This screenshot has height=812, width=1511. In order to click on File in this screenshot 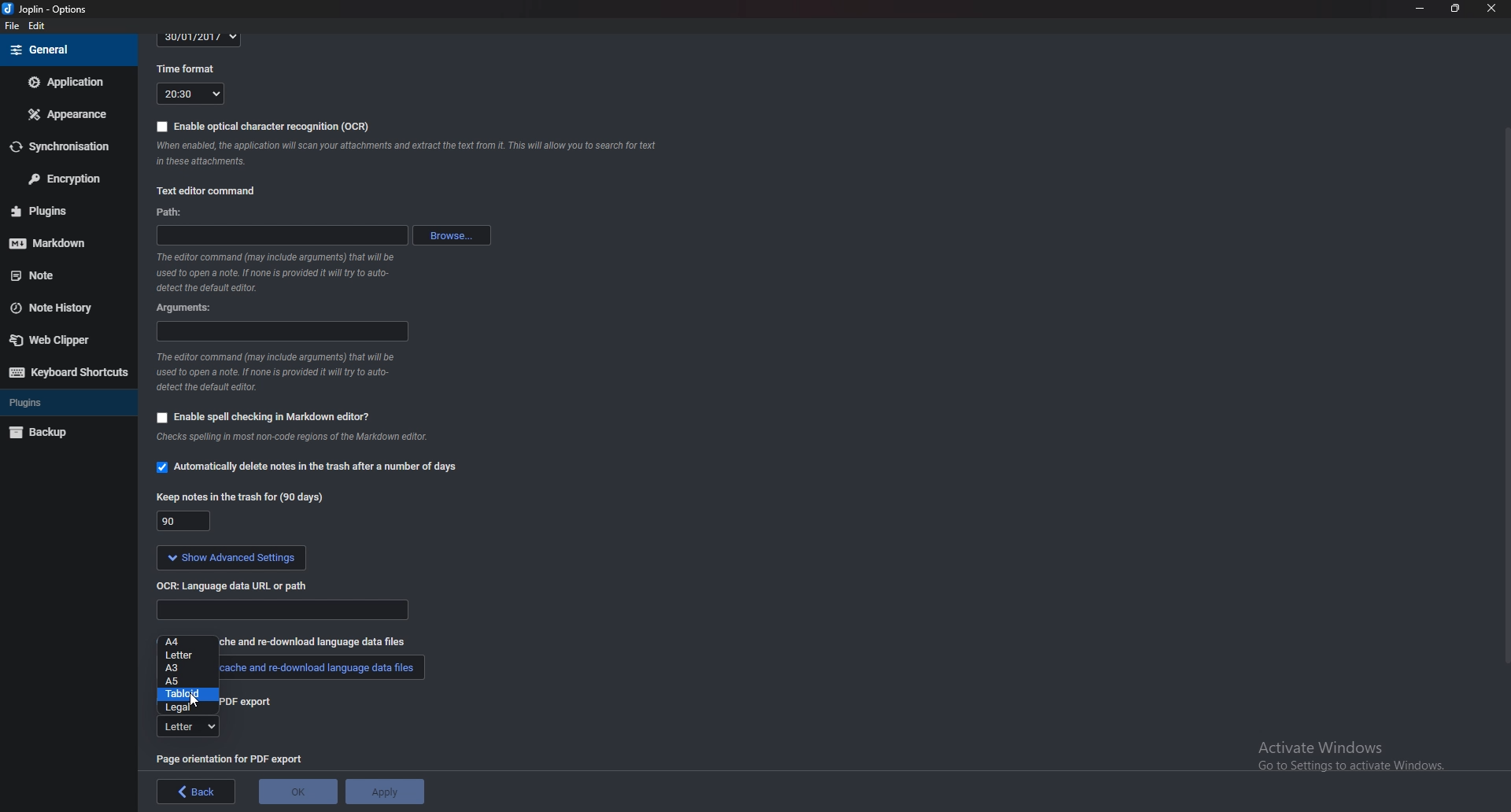, I will do `click(13, 26)`.